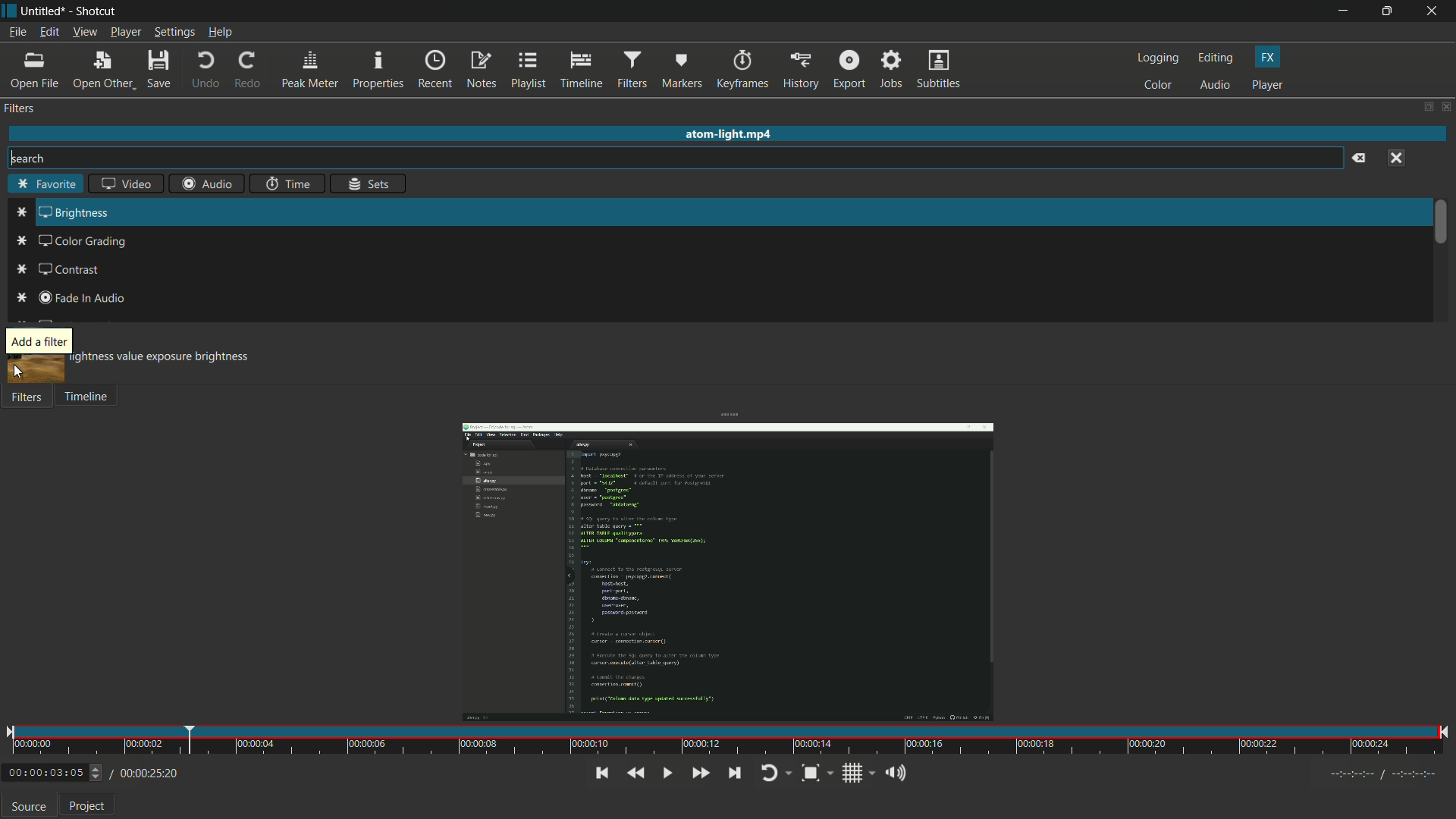 The height and width of the screenshot is (819, 1456). What do you see at coordinates (1434, 11) in the screenshot?
I see `close app` at bounding box center [1434, 11].